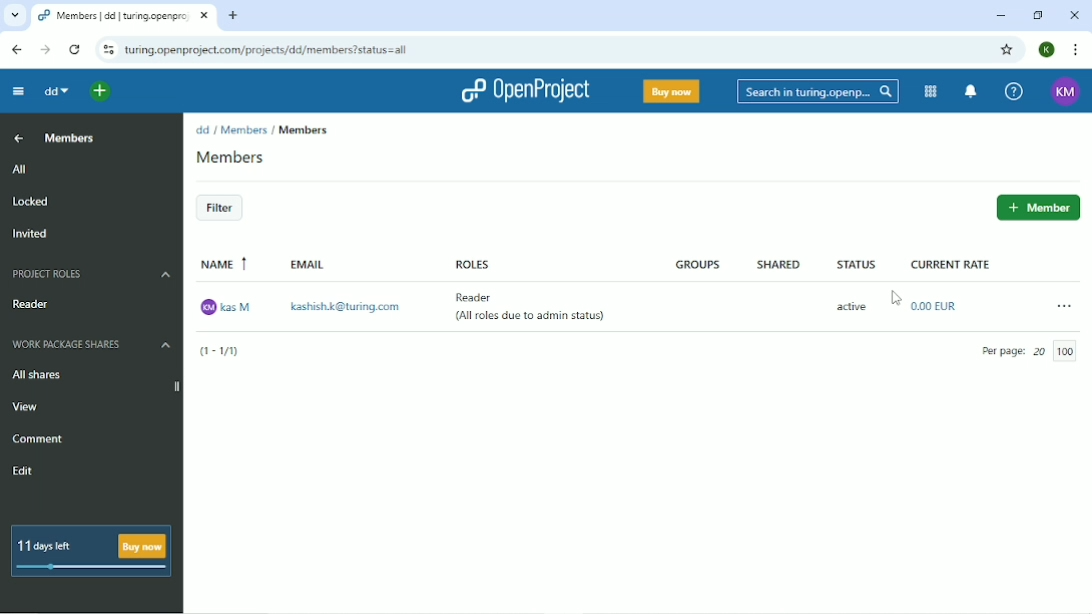  Describe the element at coordinates (89, 274) in the screenshot. I see `Project roles` at that location.